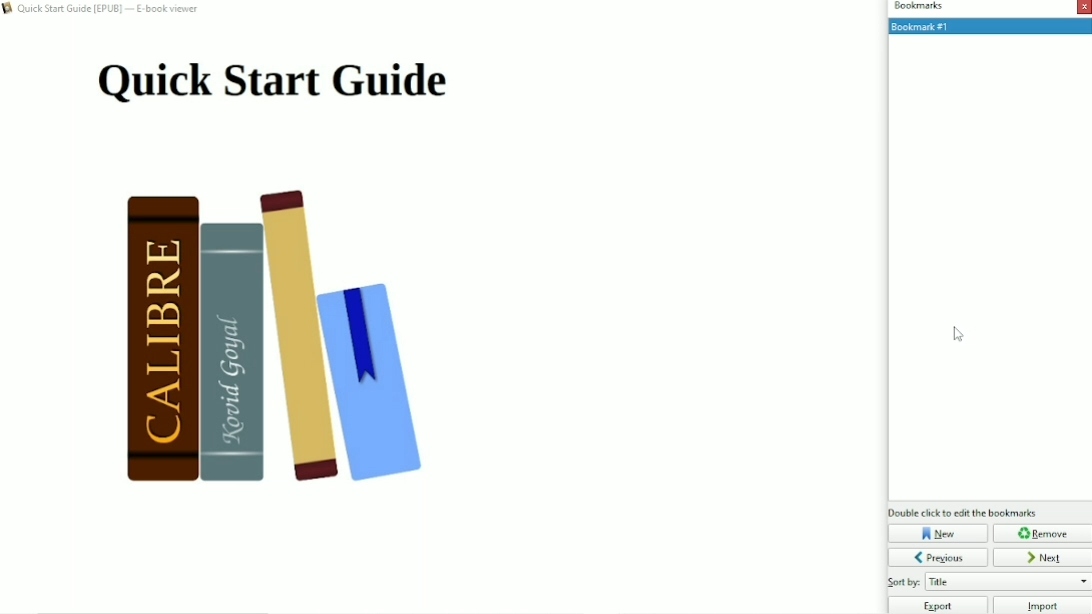 This screenshot has width=1092, height=614. Describe the element at coordinates (917, 7) in the screenshot. I see `Bookmarks` at that location.